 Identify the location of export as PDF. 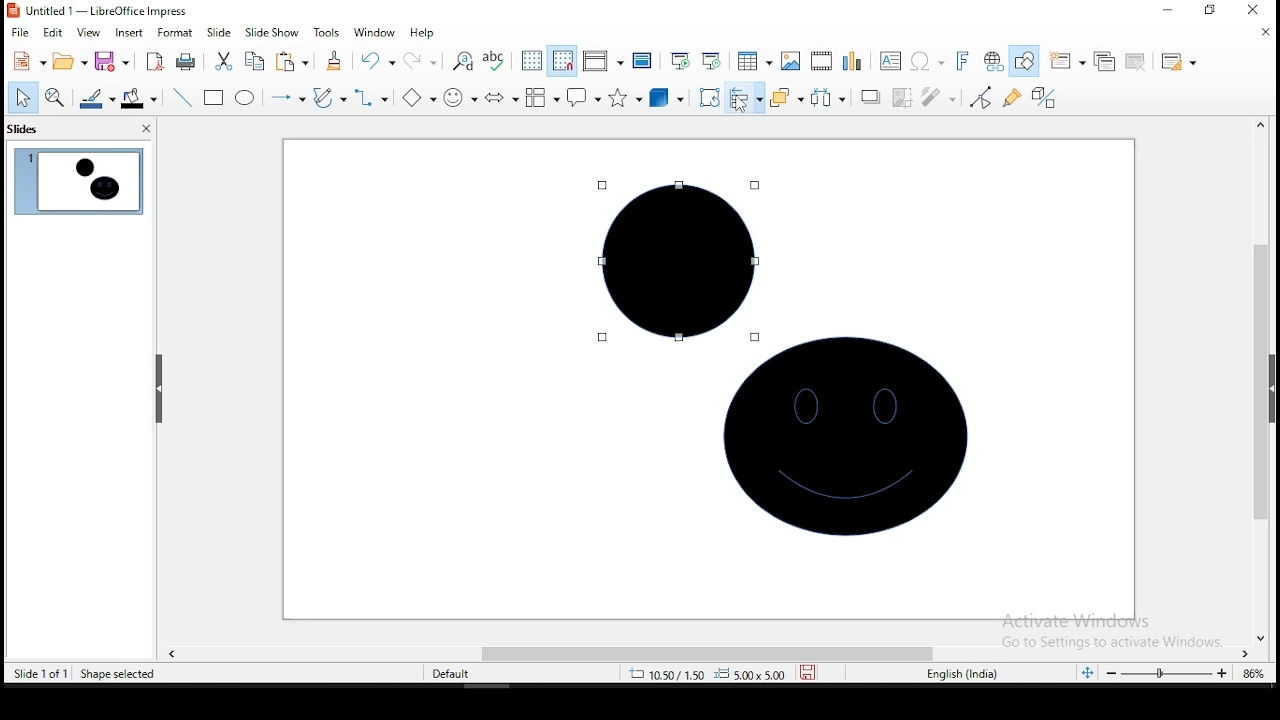
(153, 62).